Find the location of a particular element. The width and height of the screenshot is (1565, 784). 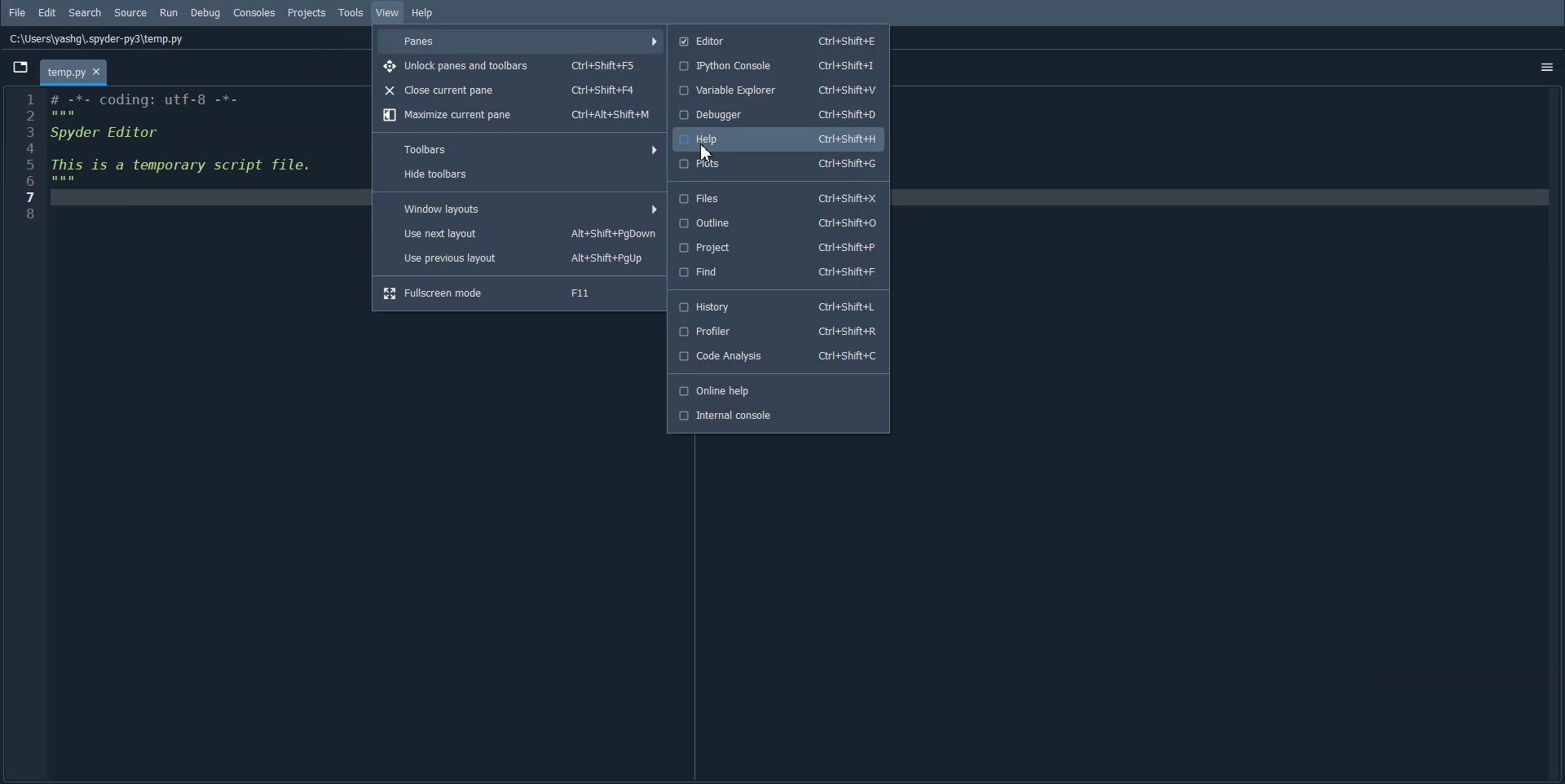

File is located at coordinates (18, 12).